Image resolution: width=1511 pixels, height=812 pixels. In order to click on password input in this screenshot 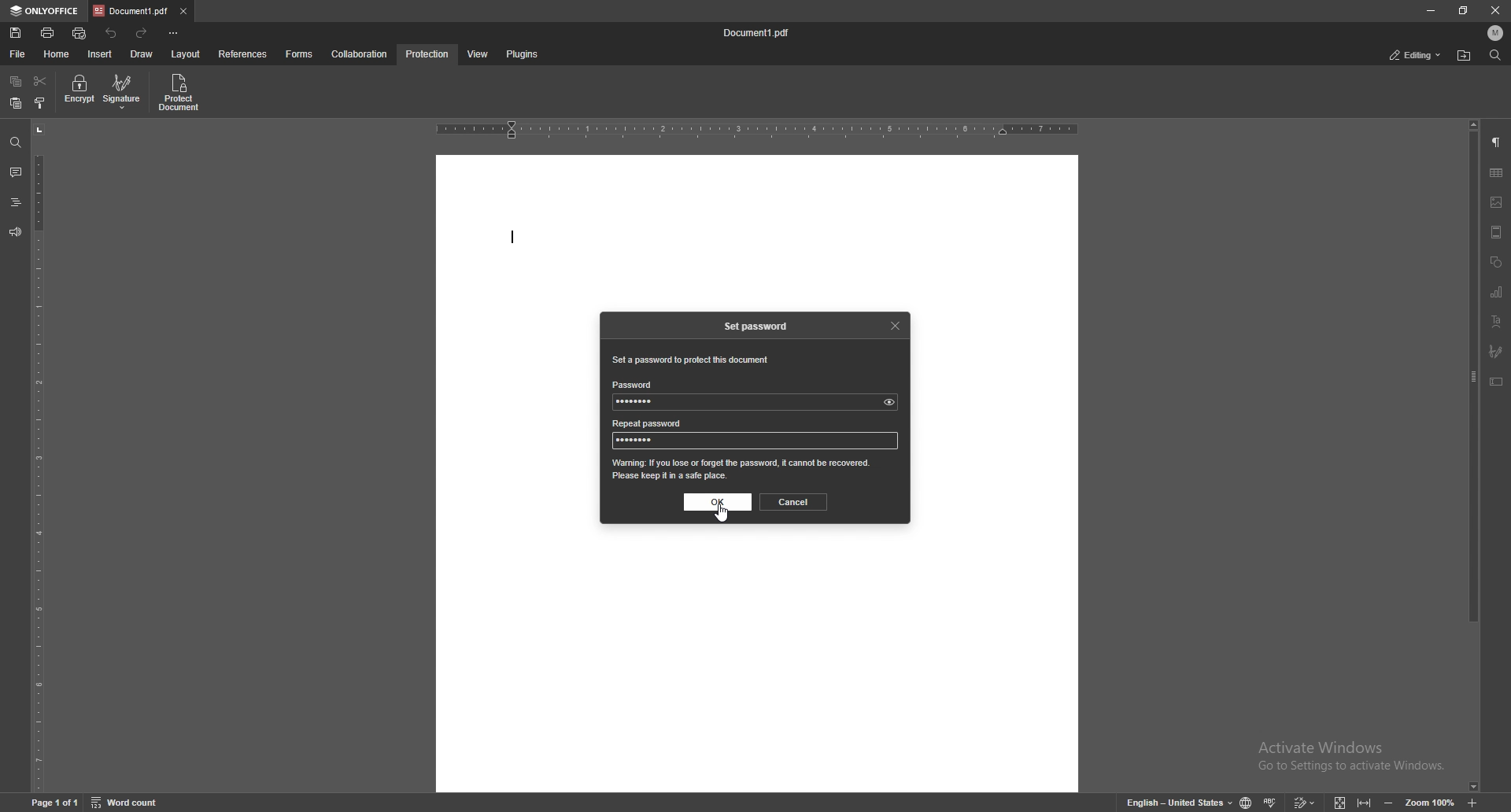, I will do `click(755, 440)`.